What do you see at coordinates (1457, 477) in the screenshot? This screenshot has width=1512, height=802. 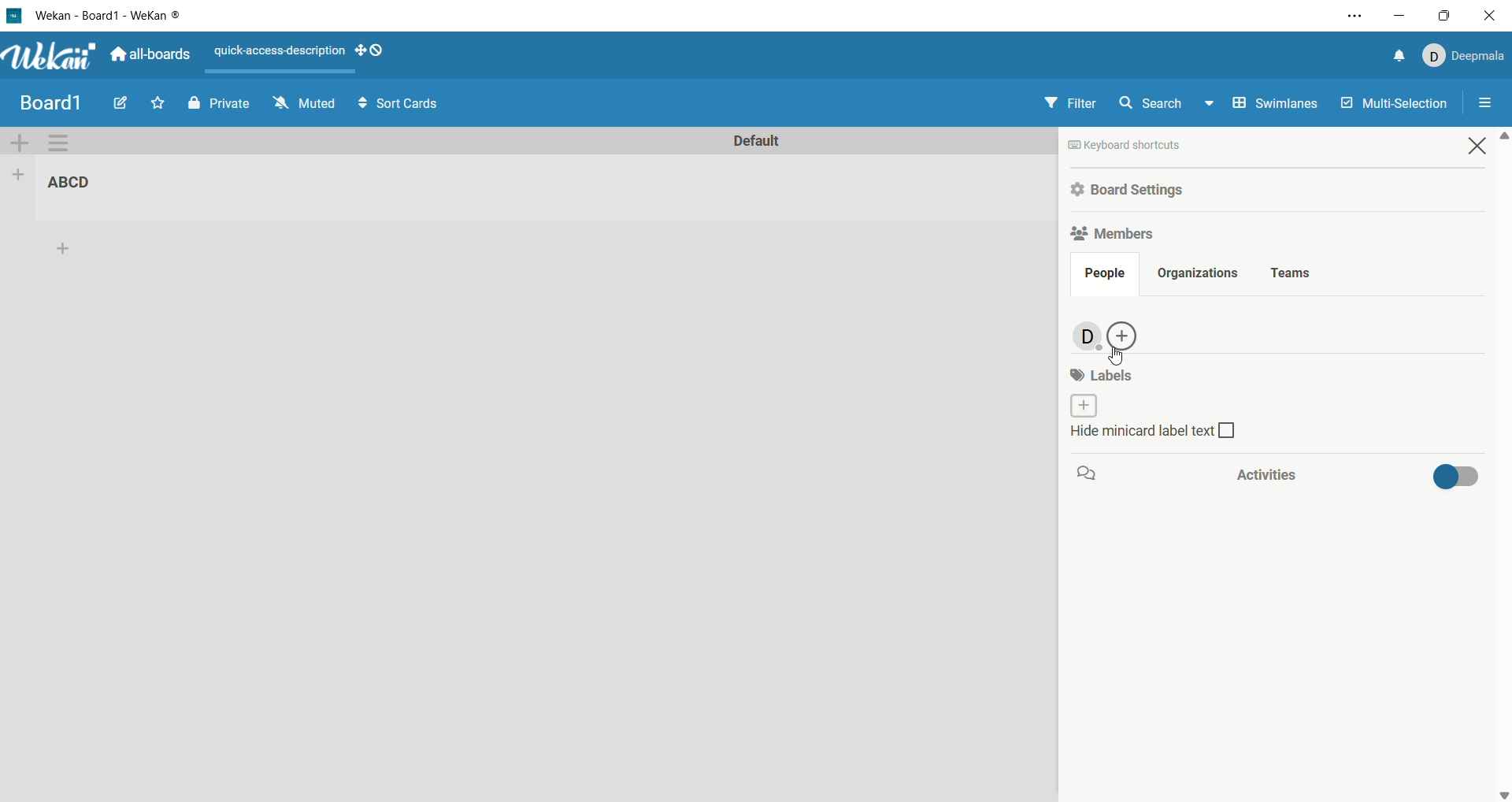 I see `toggle button` at bounding box center [1457, 477].